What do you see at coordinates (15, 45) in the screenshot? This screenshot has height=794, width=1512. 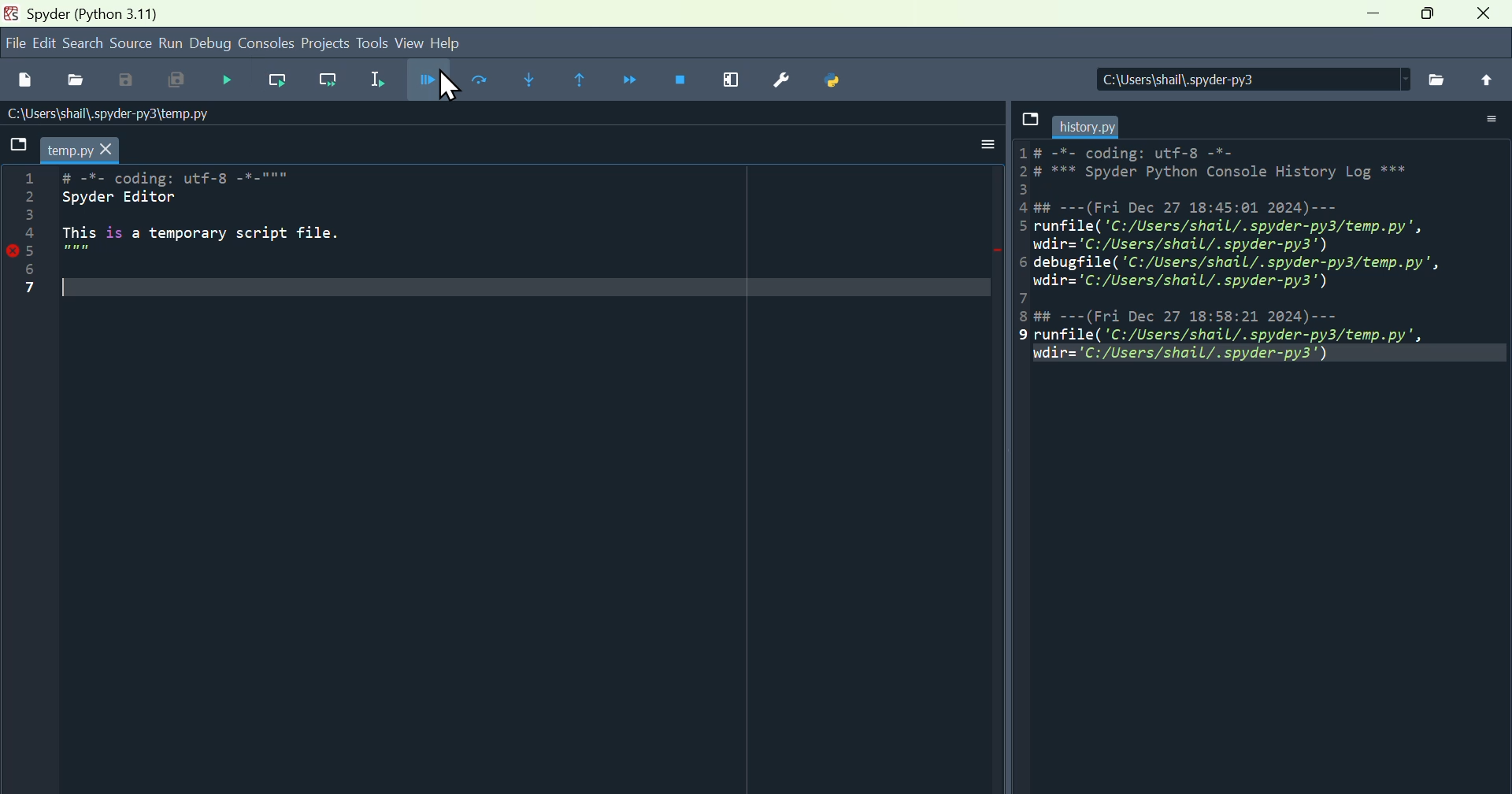 I see `file` at bounding box center [15, 45].